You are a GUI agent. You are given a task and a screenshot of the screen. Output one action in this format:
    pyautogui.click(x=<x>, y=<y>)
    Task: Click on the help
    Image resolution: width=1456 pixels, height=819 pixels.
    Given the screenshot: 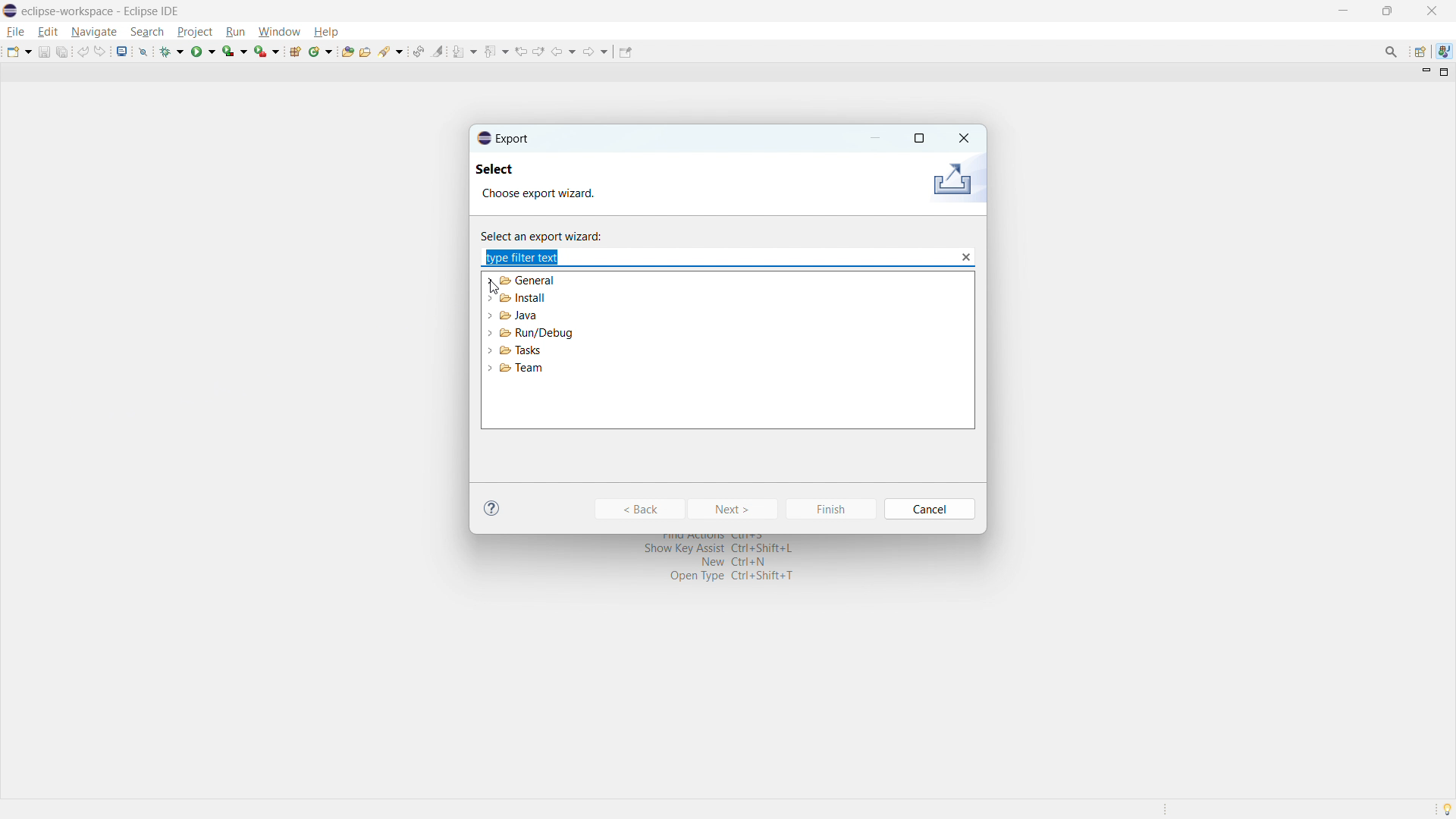 What is the action you would take?
    pyautogui.click(x=492, y=507)
    